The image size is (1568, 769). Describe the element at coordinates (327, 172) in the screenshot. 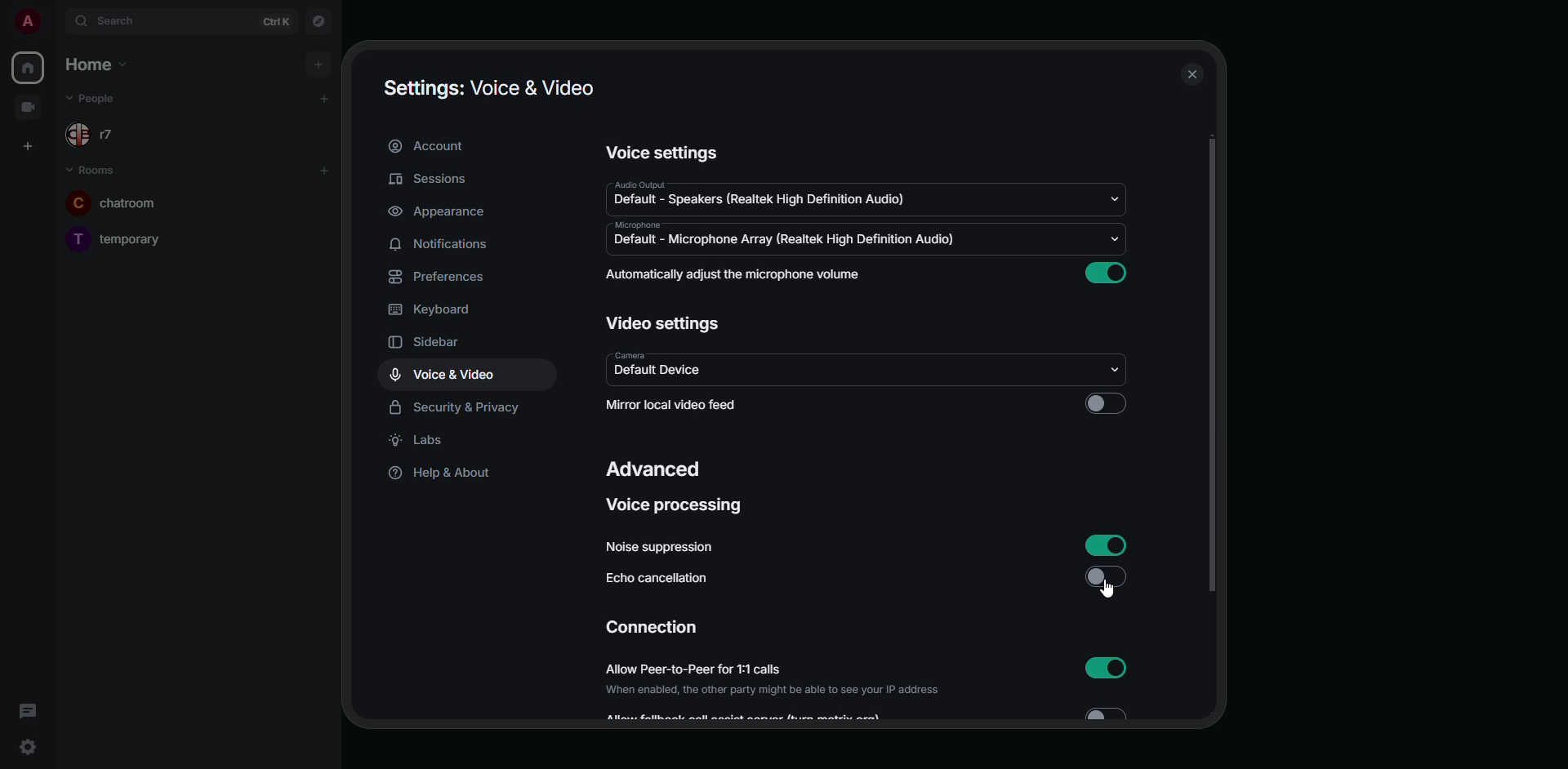

I see `add` at that location.